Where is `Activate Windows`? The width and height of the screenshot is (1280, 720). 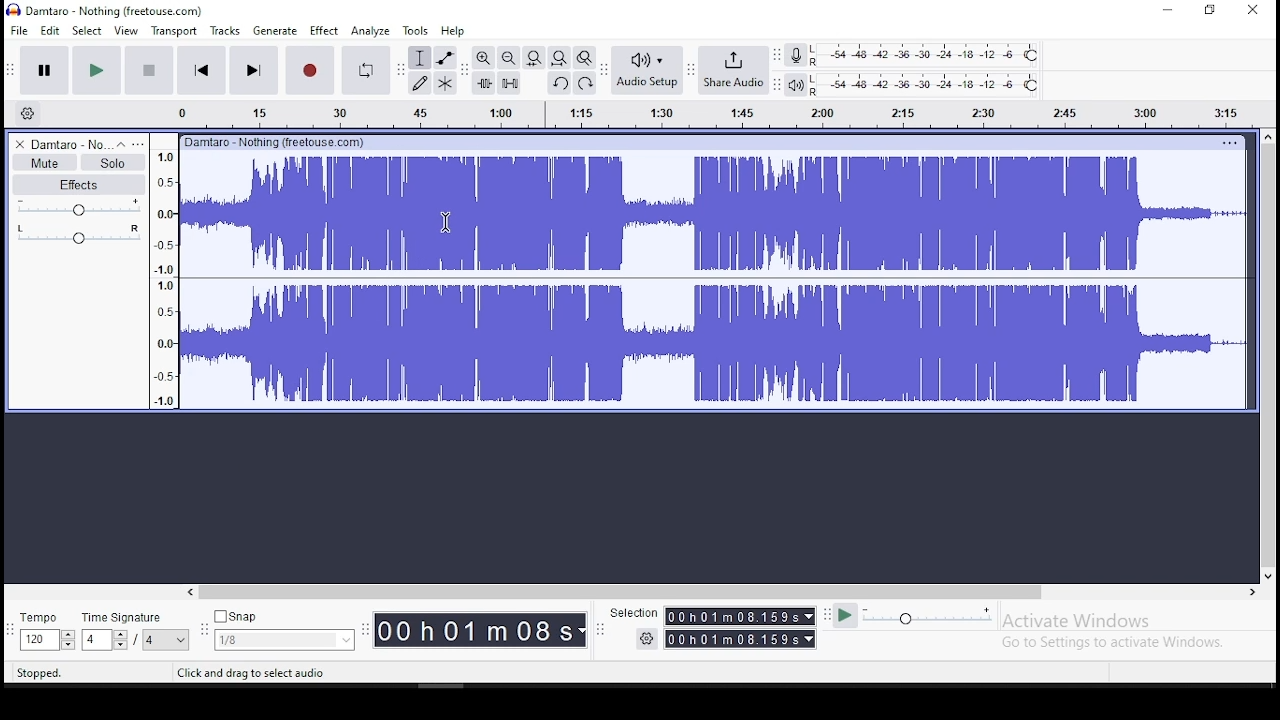
Activate Windows is located at coordinates (1077, 621).